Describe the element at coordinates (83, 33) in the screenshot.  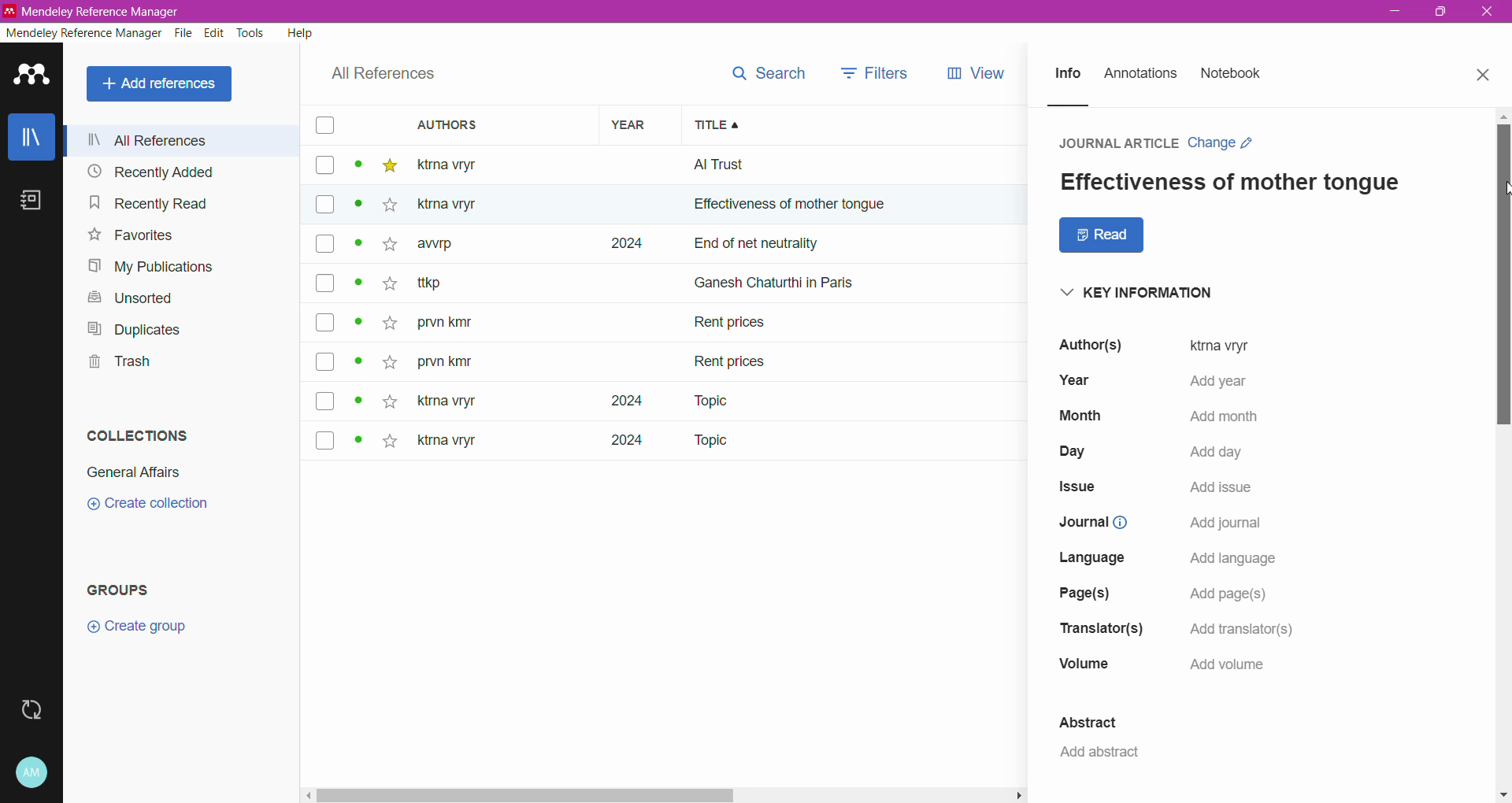
I see `Mendeley Reference Manager` at that location.